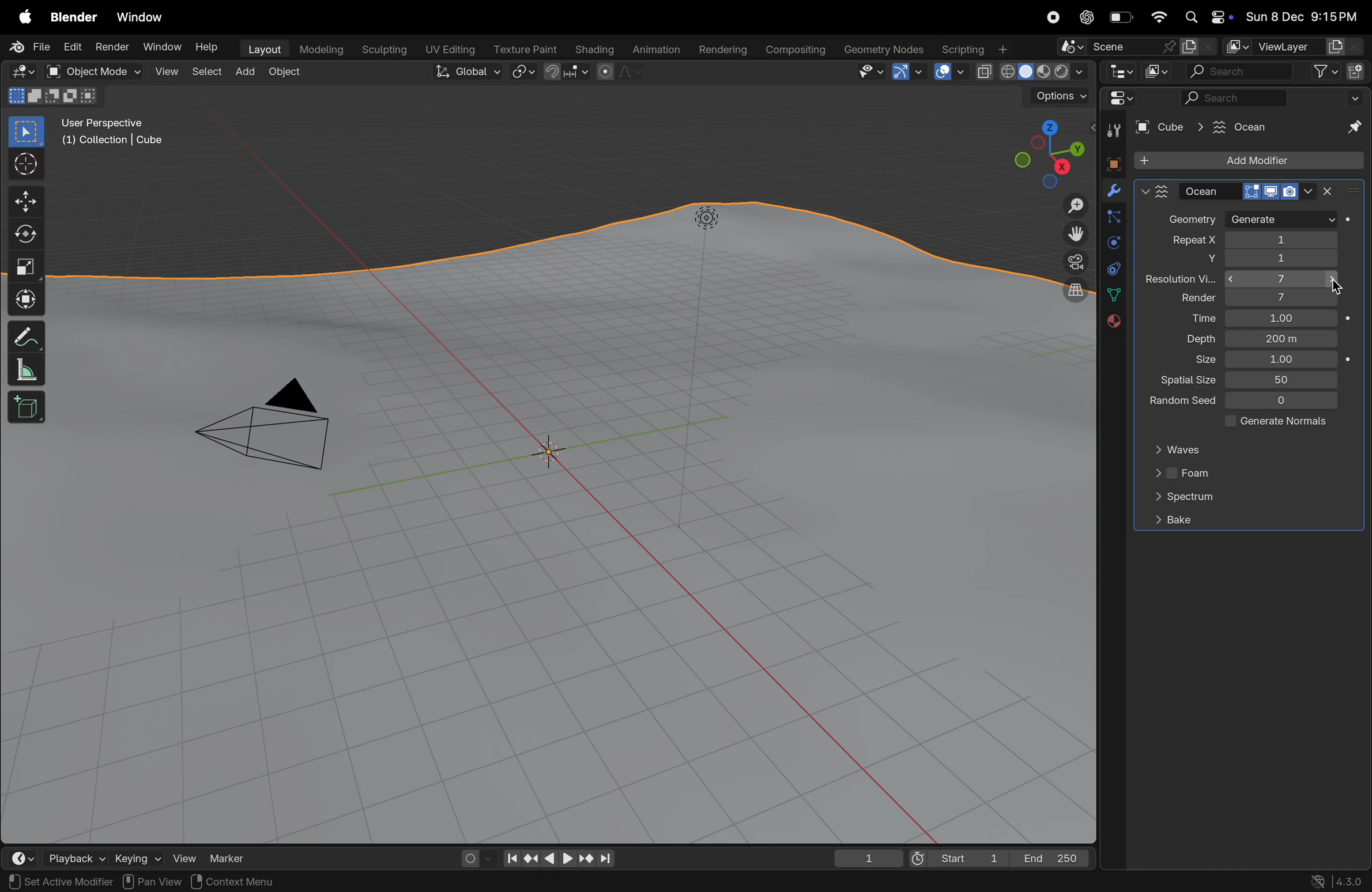 Image resolution: width=1372 pixels, height=892 pixels. I want to click on view port shading, so click(1031, 72).